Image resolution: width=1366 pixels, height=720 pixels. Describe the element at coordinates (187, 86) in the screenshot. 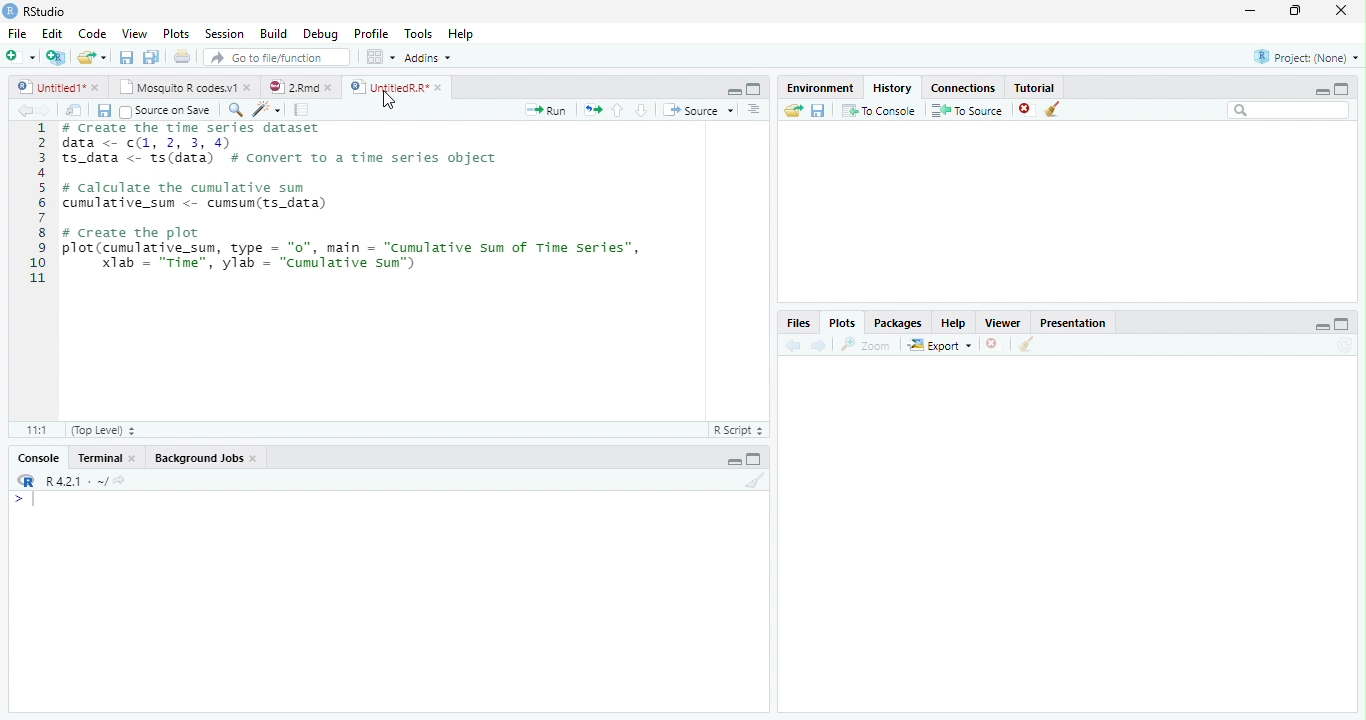

I see `Mosquito R codes` at that location.